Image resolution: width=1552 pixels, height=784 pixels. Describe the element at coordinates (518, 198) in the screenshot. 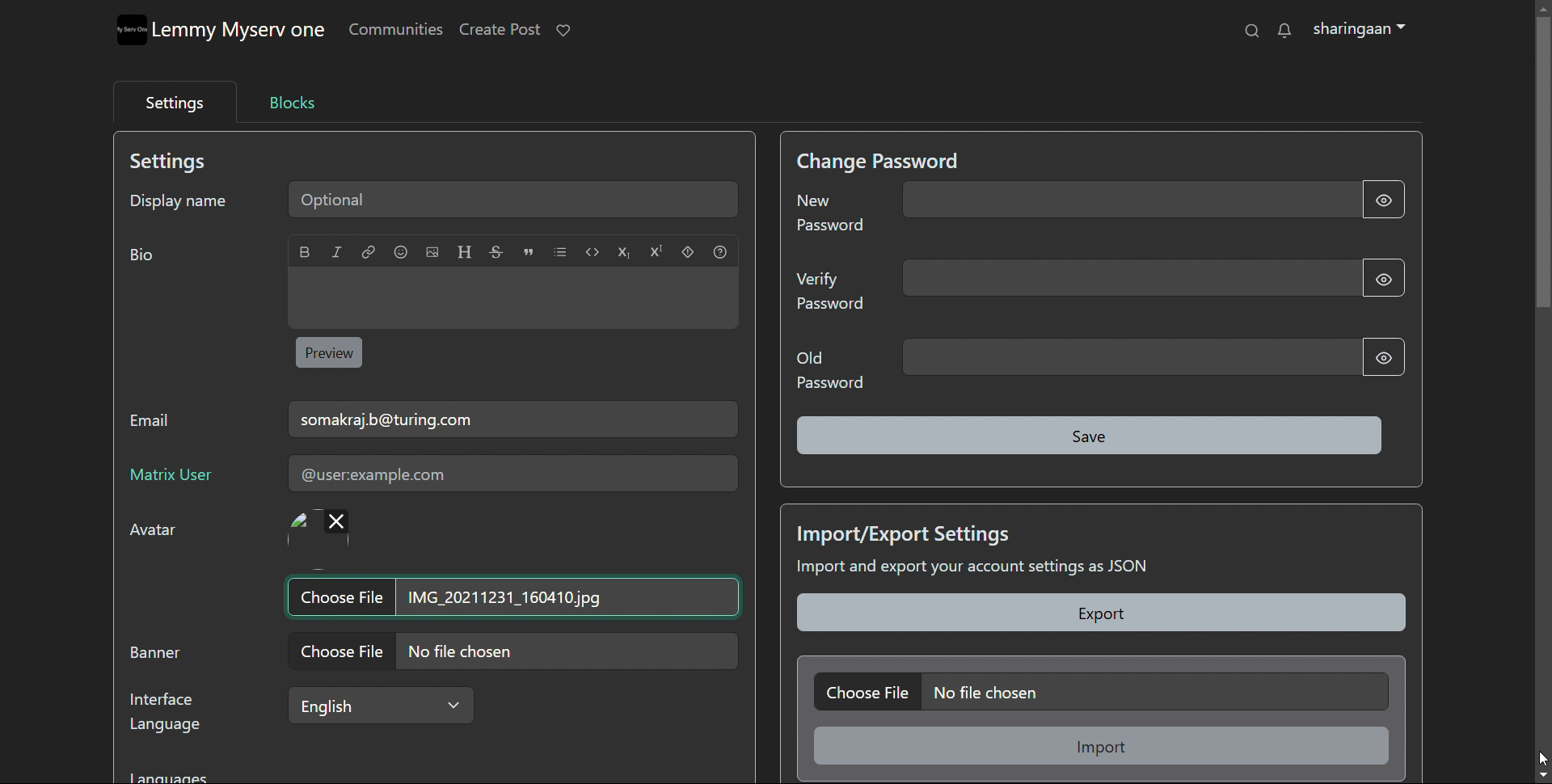

I see `Optional` at that location.